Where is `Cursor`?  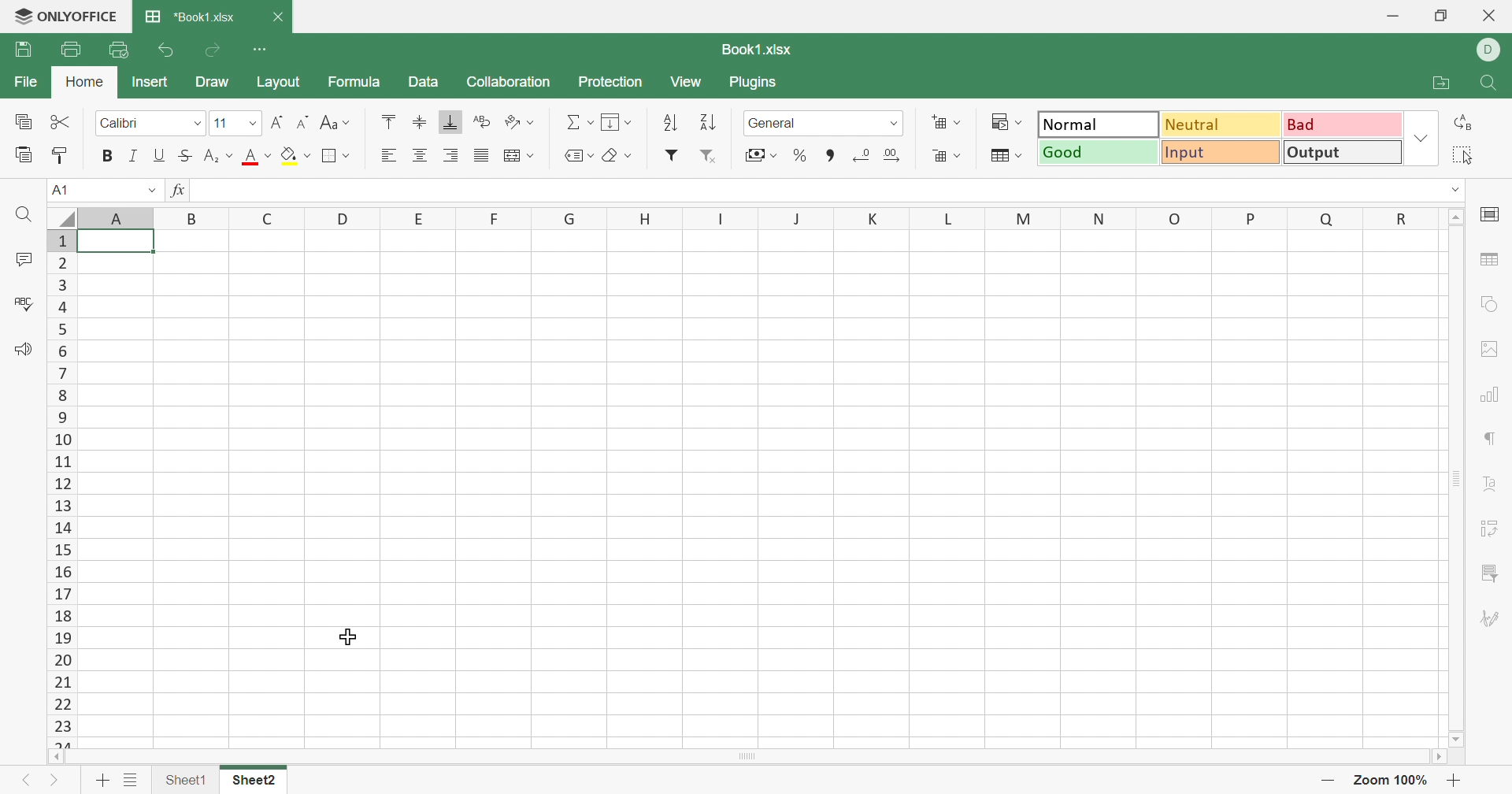 Cursor is located at coordinates (350, 635).